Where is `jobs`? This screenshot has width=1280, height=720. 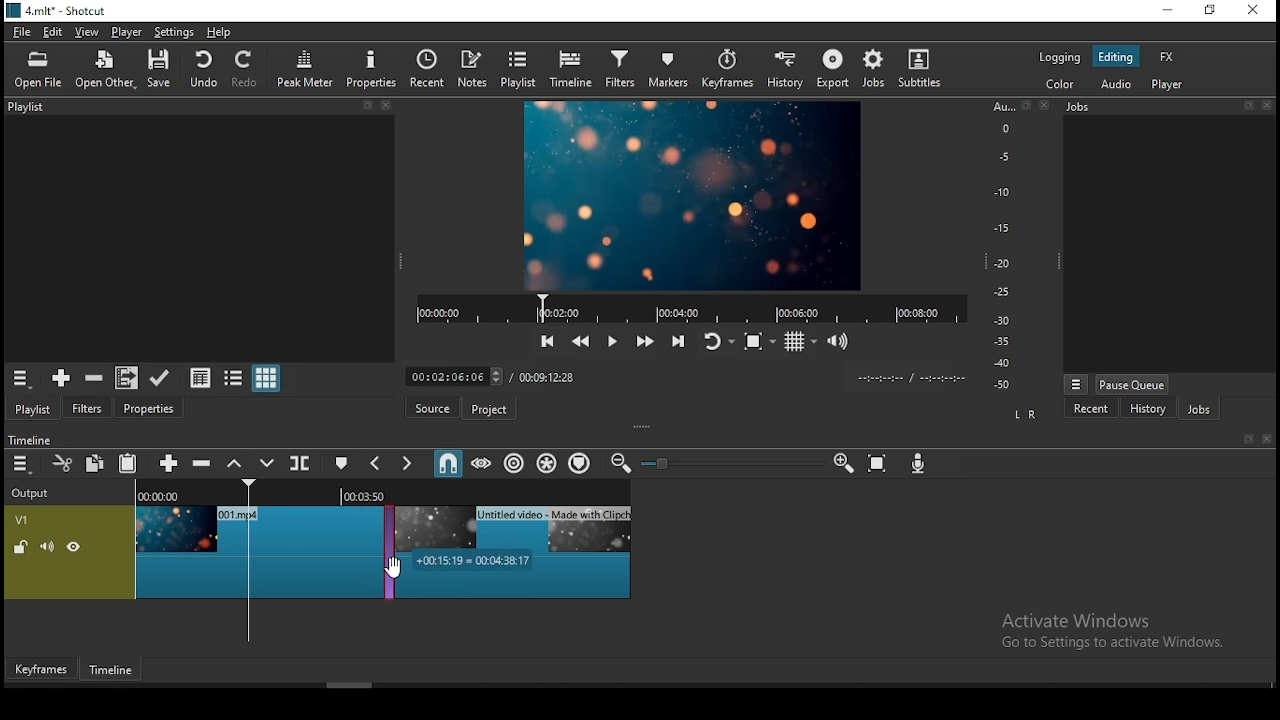 jobs is located at coordinates (871, 69).